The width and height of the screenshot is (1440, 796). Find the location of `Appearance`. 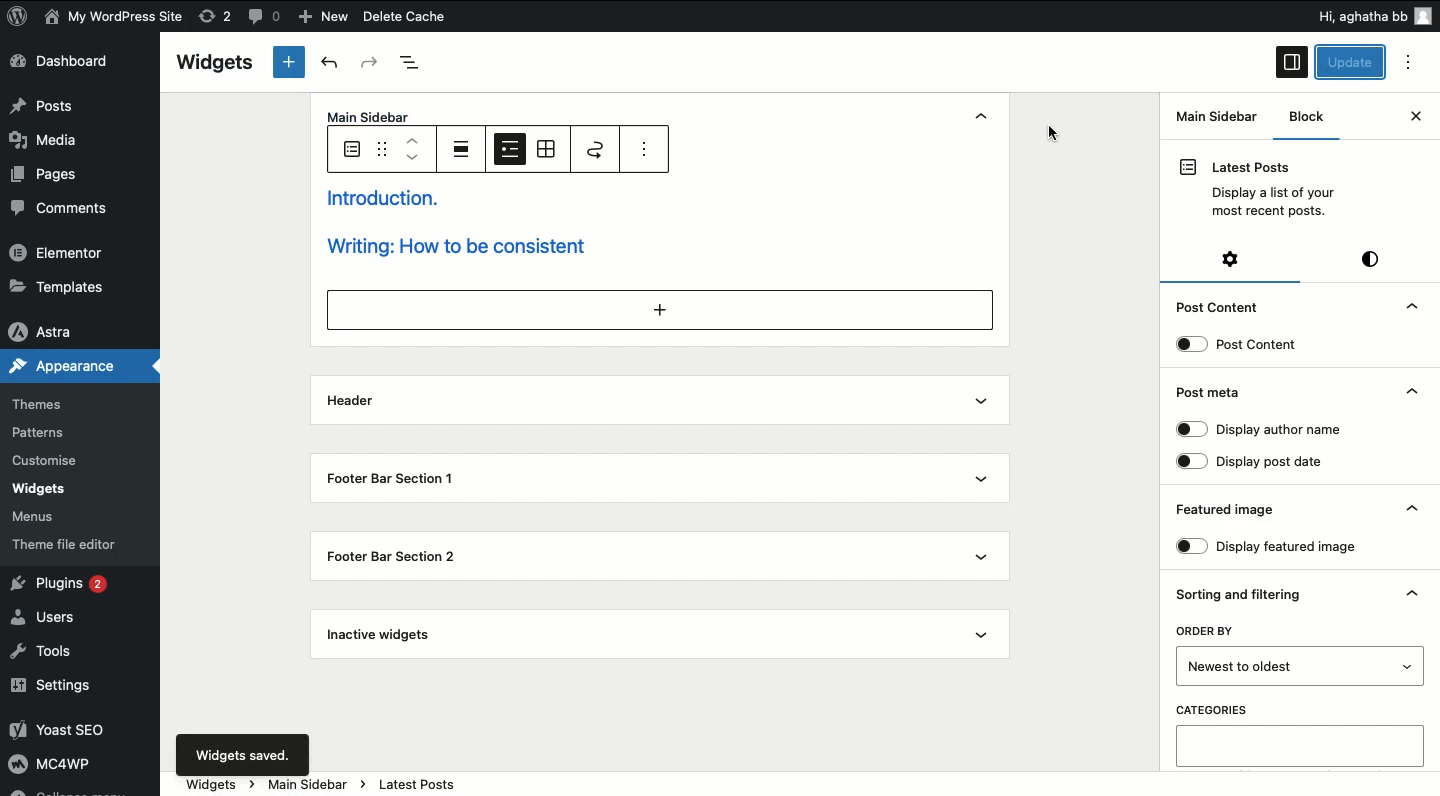

Appearance is located at coordinates (70, 365).